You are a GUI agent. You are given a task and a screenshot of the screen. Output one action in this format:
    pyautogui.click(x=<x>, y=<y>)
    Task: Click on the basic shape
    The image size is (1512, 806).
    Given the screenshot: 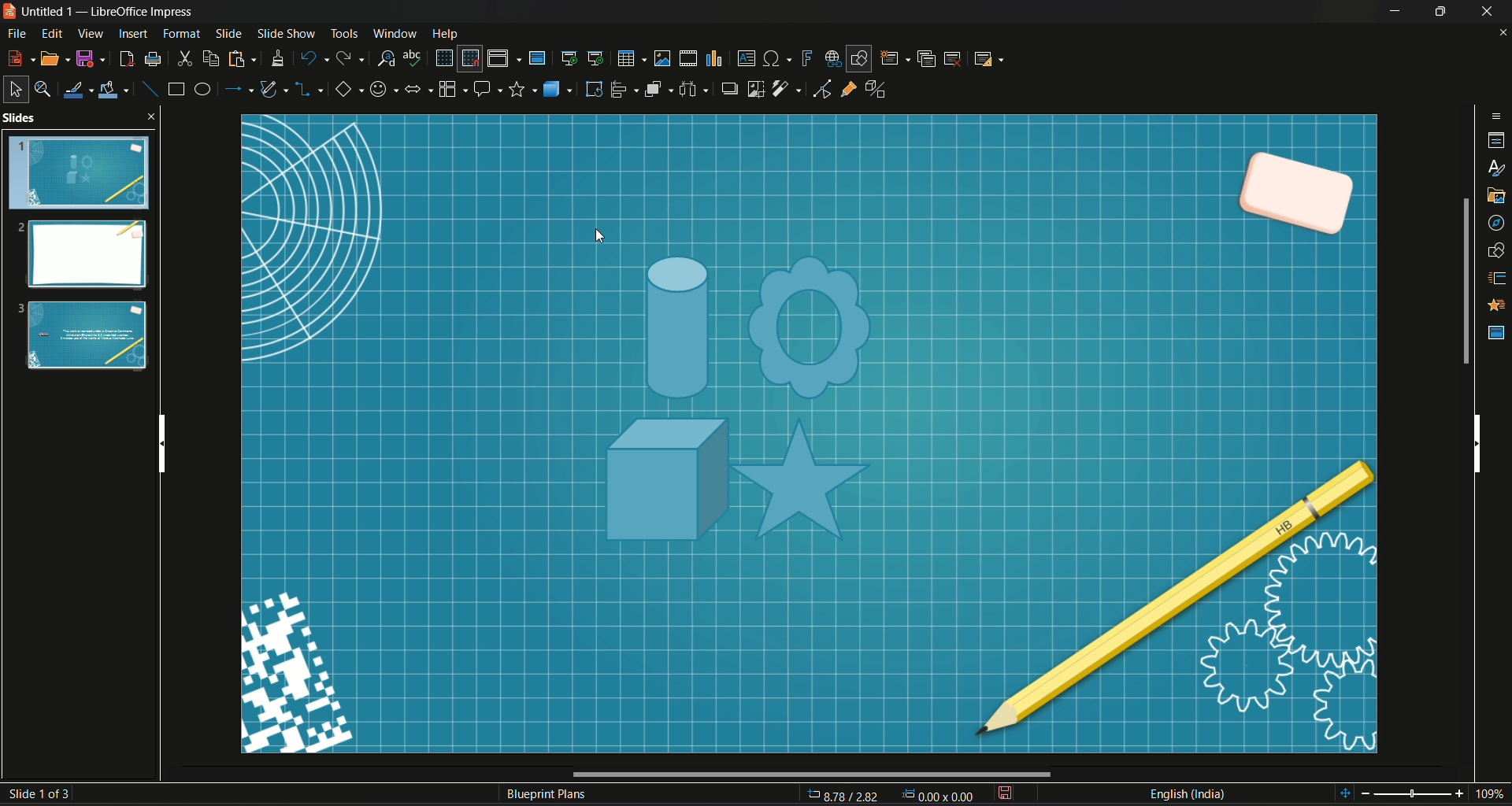 What is the action you would take?
    pyautogui.click(x=347, y=91)
    